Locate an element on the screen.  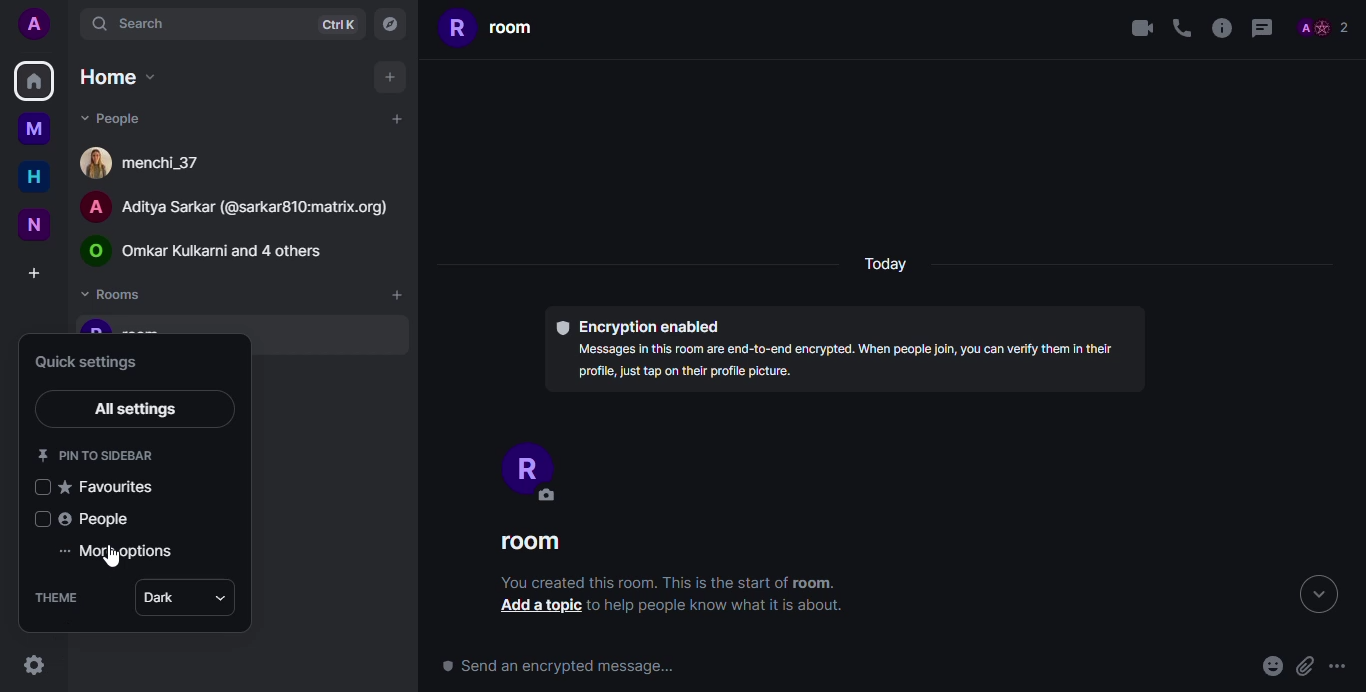
home is located at coordinates (33, 177).